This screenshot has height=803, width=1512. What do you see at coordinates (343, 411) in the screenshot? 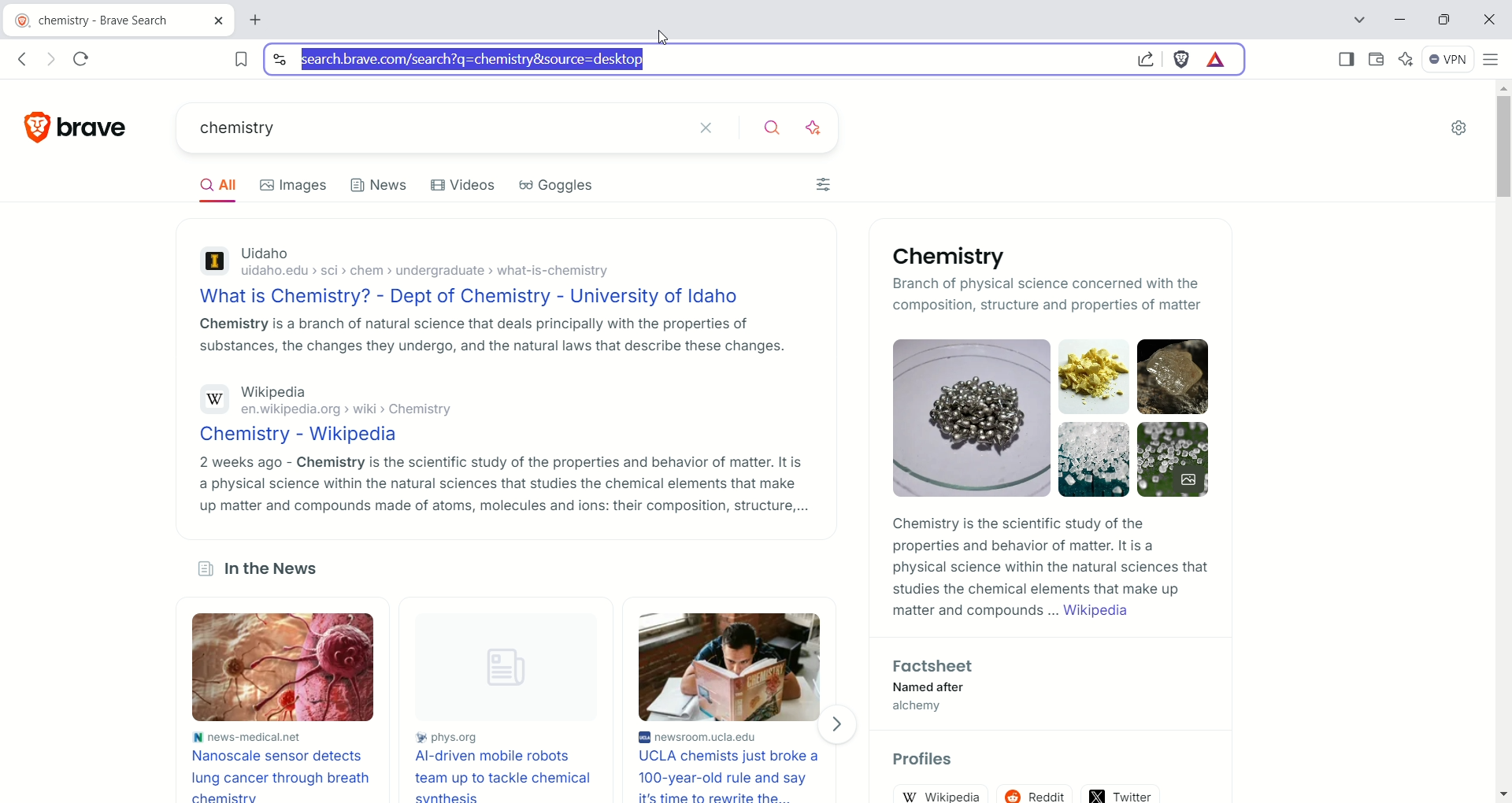
I see `en.wikipedia.org > wiki > Chemistry` at bounding box center [343, 411].